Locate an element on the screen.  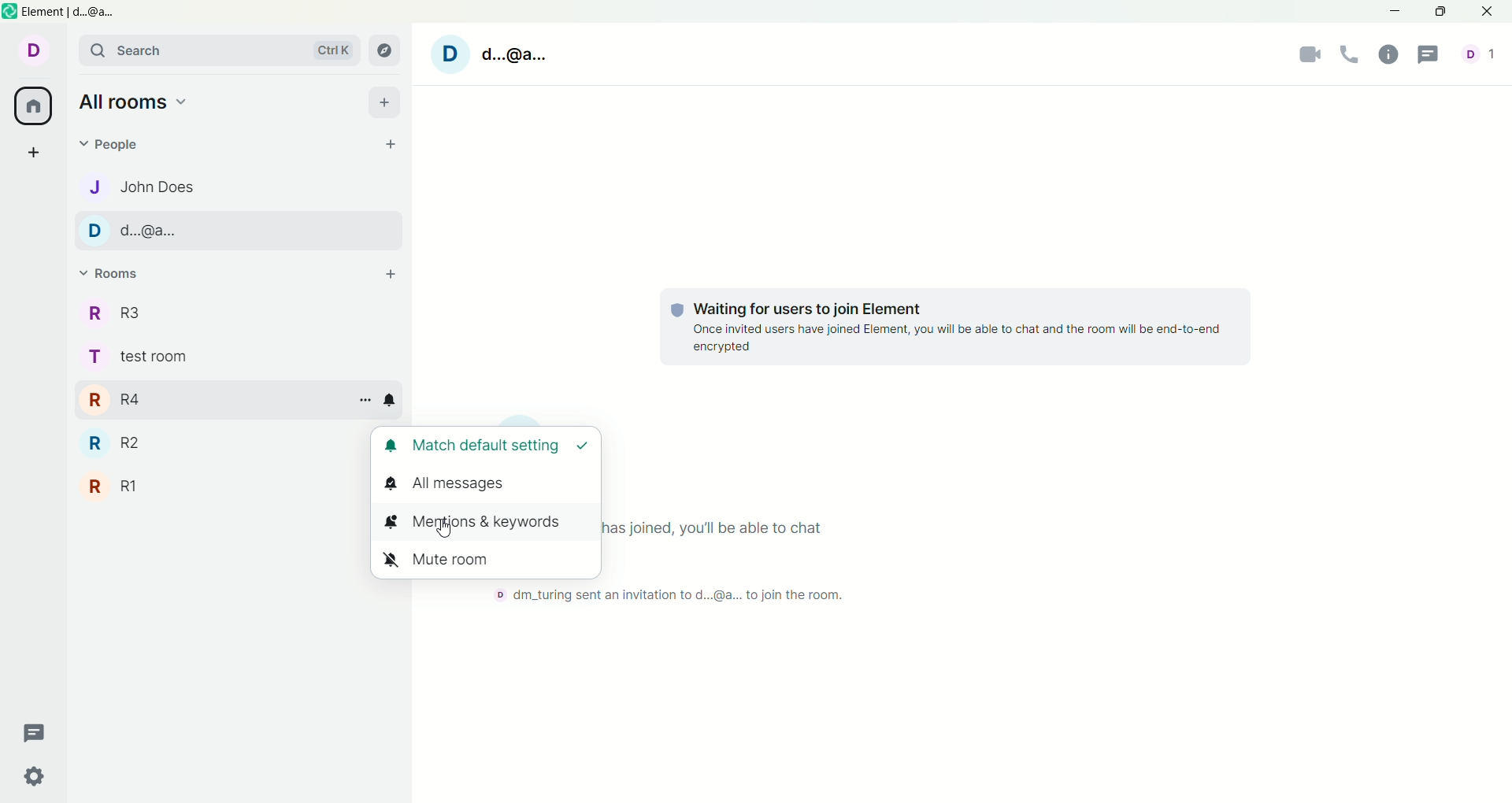
R2 room is located at coordinates (222, 442).